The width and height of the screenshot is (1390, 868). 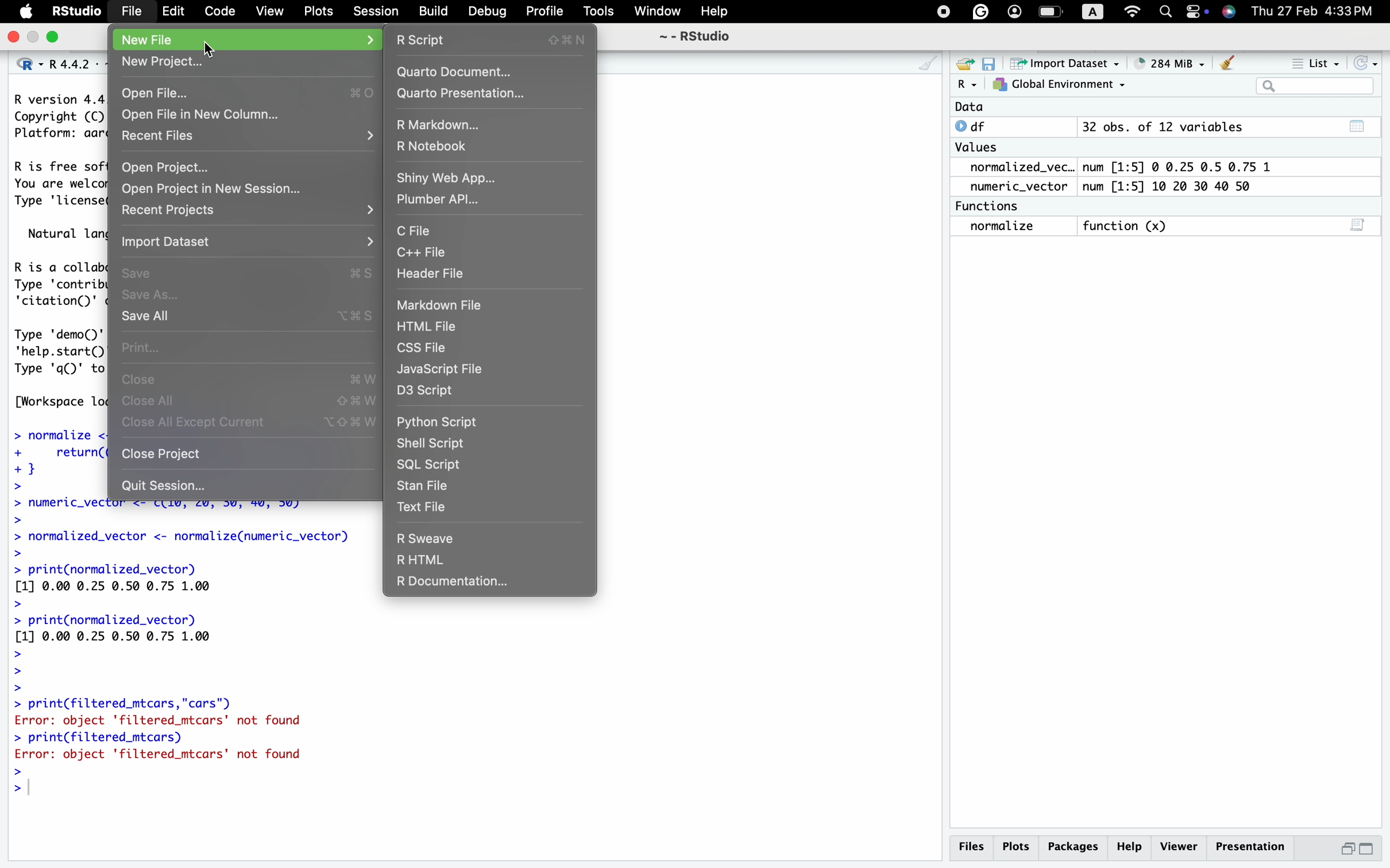 What do you see at coordinates (963, 64) in the screenshot?
I see `SHARE` at bounding box center [963, 64].